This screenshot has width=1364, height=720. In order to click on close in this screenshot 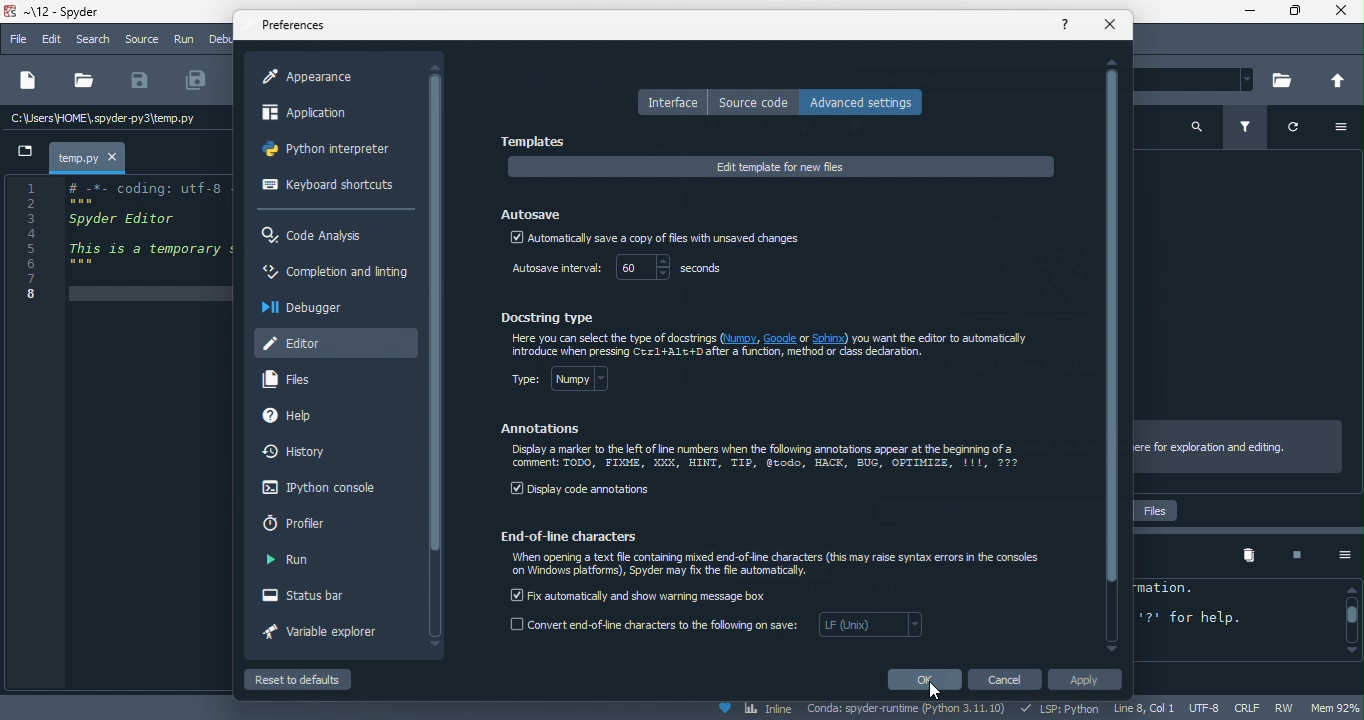, I will do `click(1341, 14)`.